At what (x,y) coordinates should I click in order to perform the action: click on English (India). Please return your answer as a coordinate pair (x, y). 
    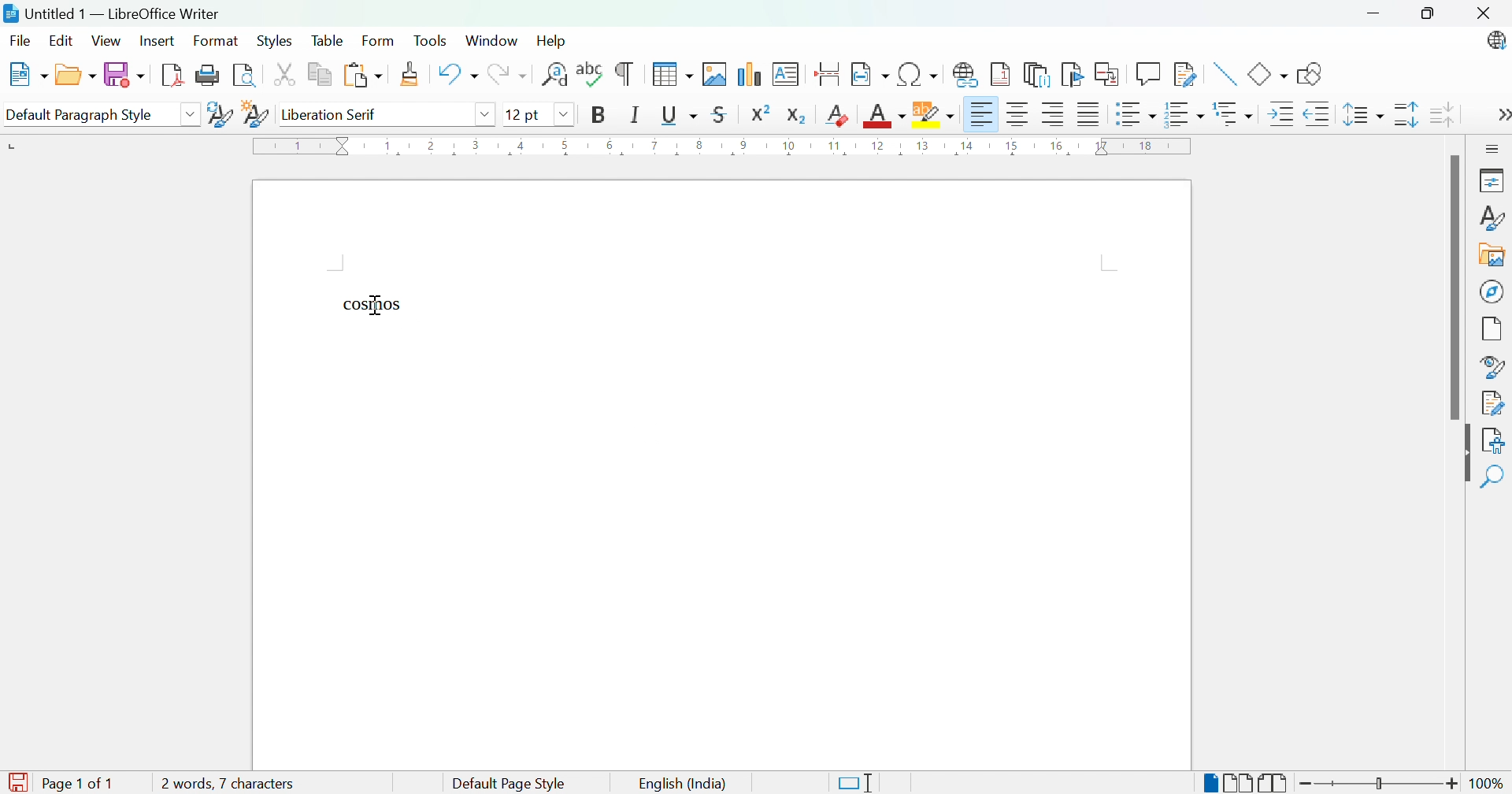
    Looking at the image, I should click on (680, 784).